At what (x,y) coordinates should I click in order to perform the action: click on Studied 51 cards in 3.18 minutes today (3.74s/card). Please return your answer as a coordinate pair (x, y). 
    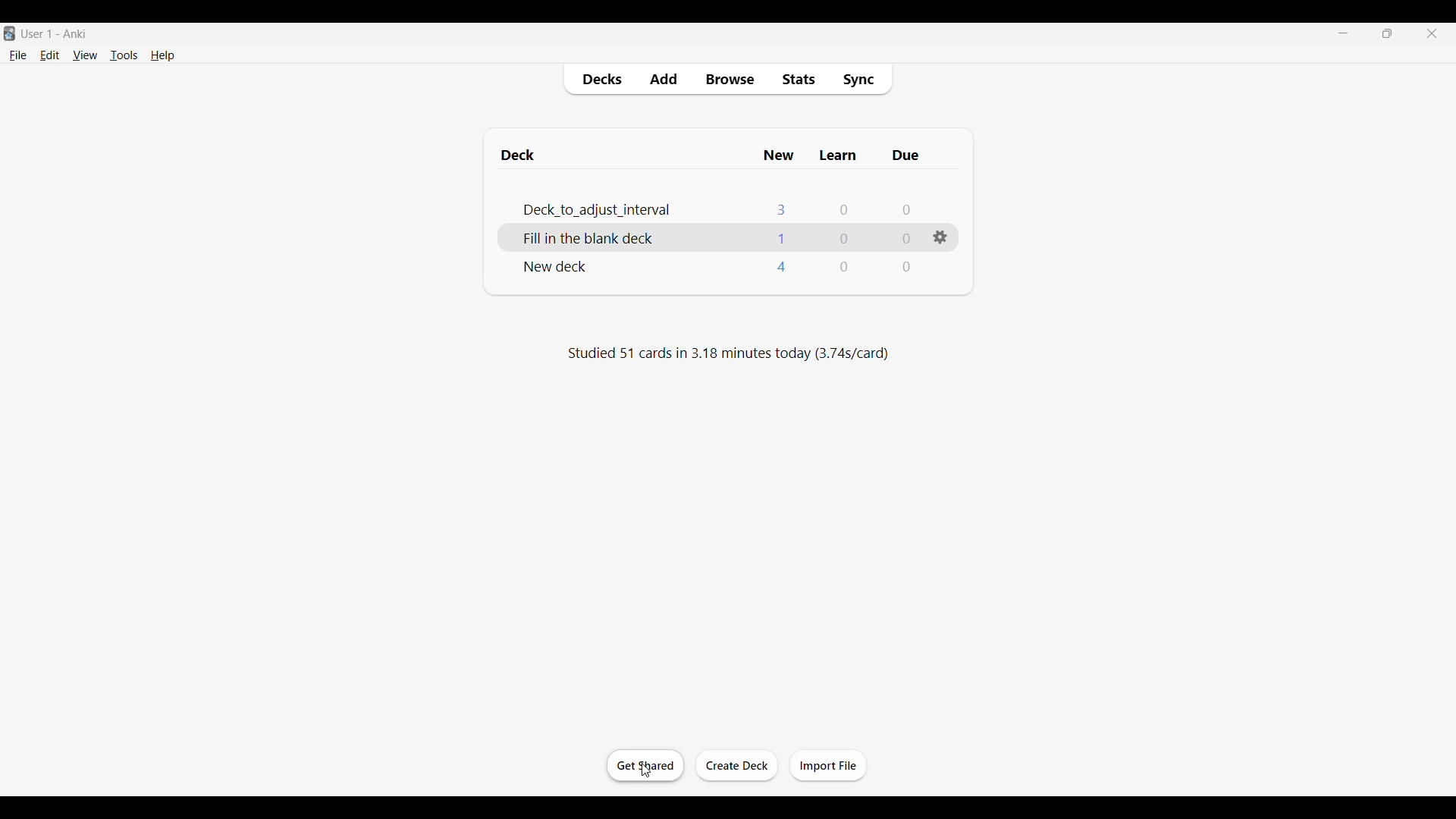
    Looking at the image, I should click on (725, 355).